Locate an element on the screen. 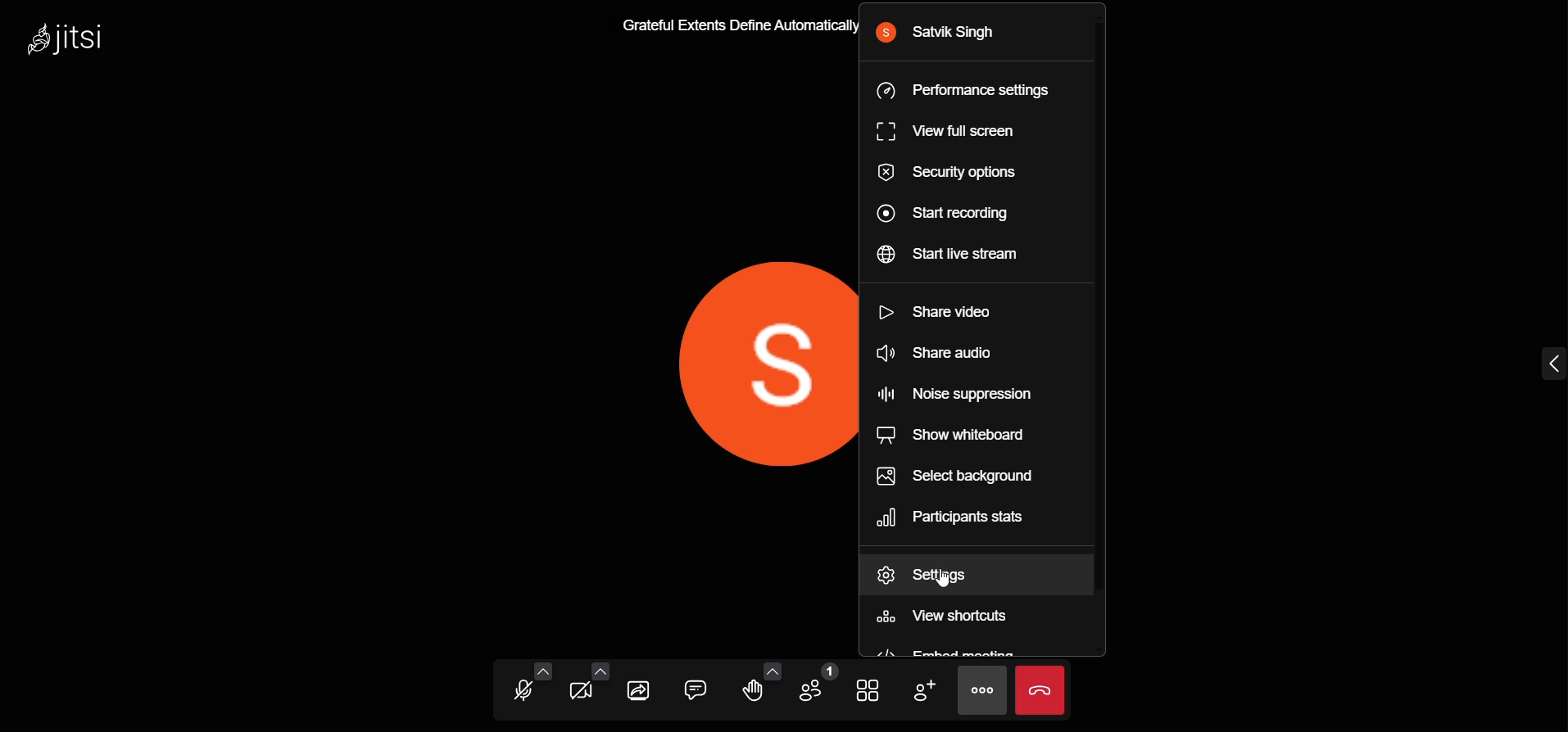 The width and height of the screenshot is (1568, 732). tile view is located at coordinates (866, 686).